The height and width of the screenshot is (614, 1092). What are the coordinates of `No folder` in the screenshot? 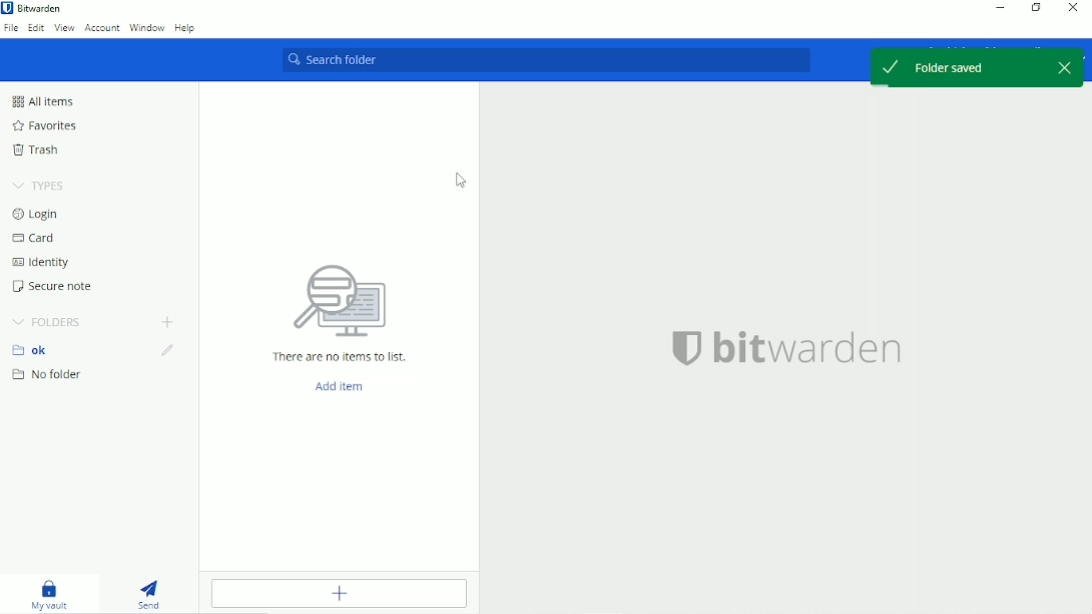 It's located at (49, 375).